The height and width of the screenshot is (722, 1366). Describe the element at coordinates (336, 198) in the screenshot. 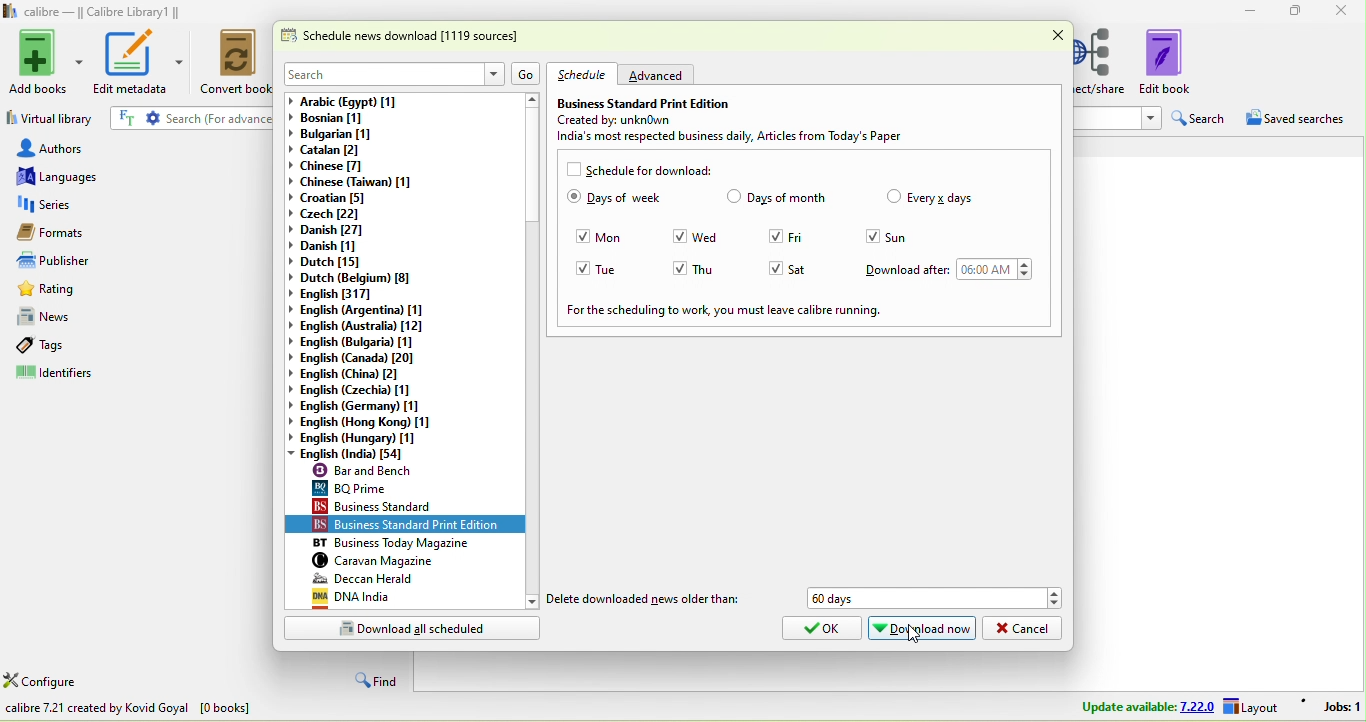

I see `croatian[5]` at that location.